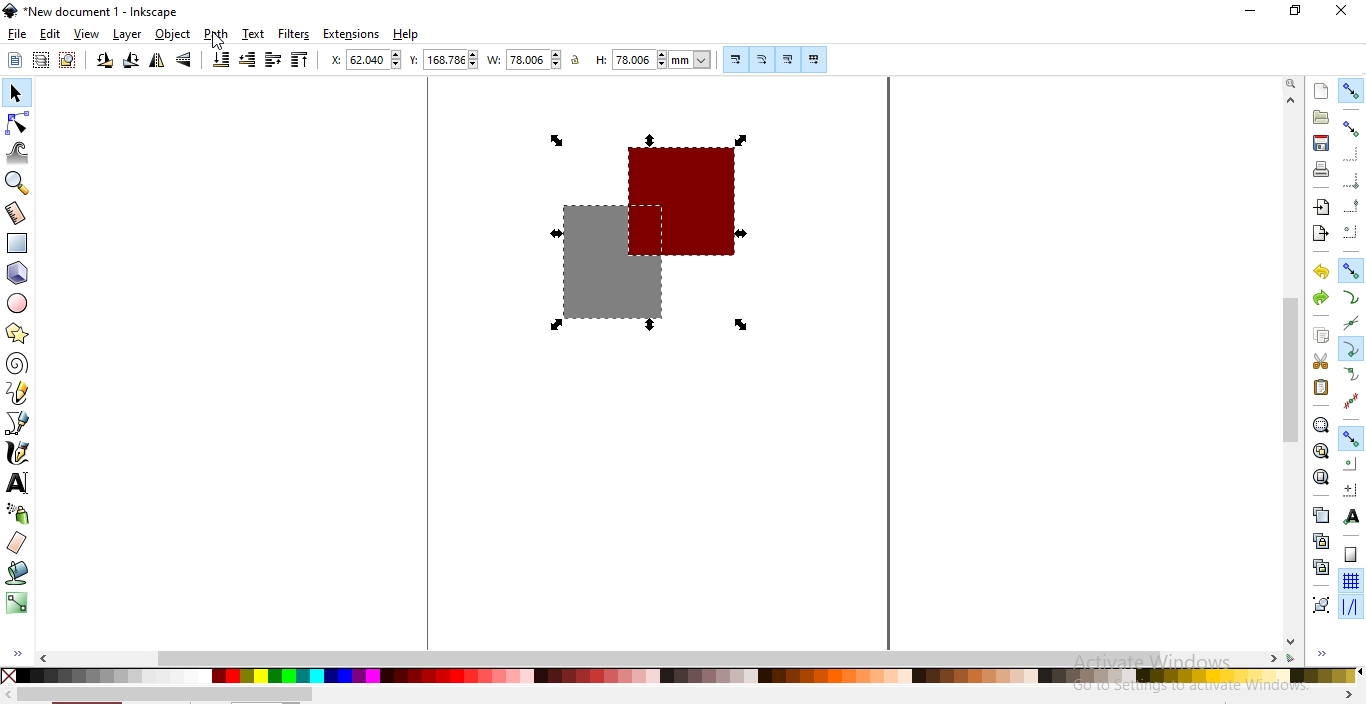 The width and height of the screenshot is (1366, 704). I want to click on shape image, so click(645, 233).